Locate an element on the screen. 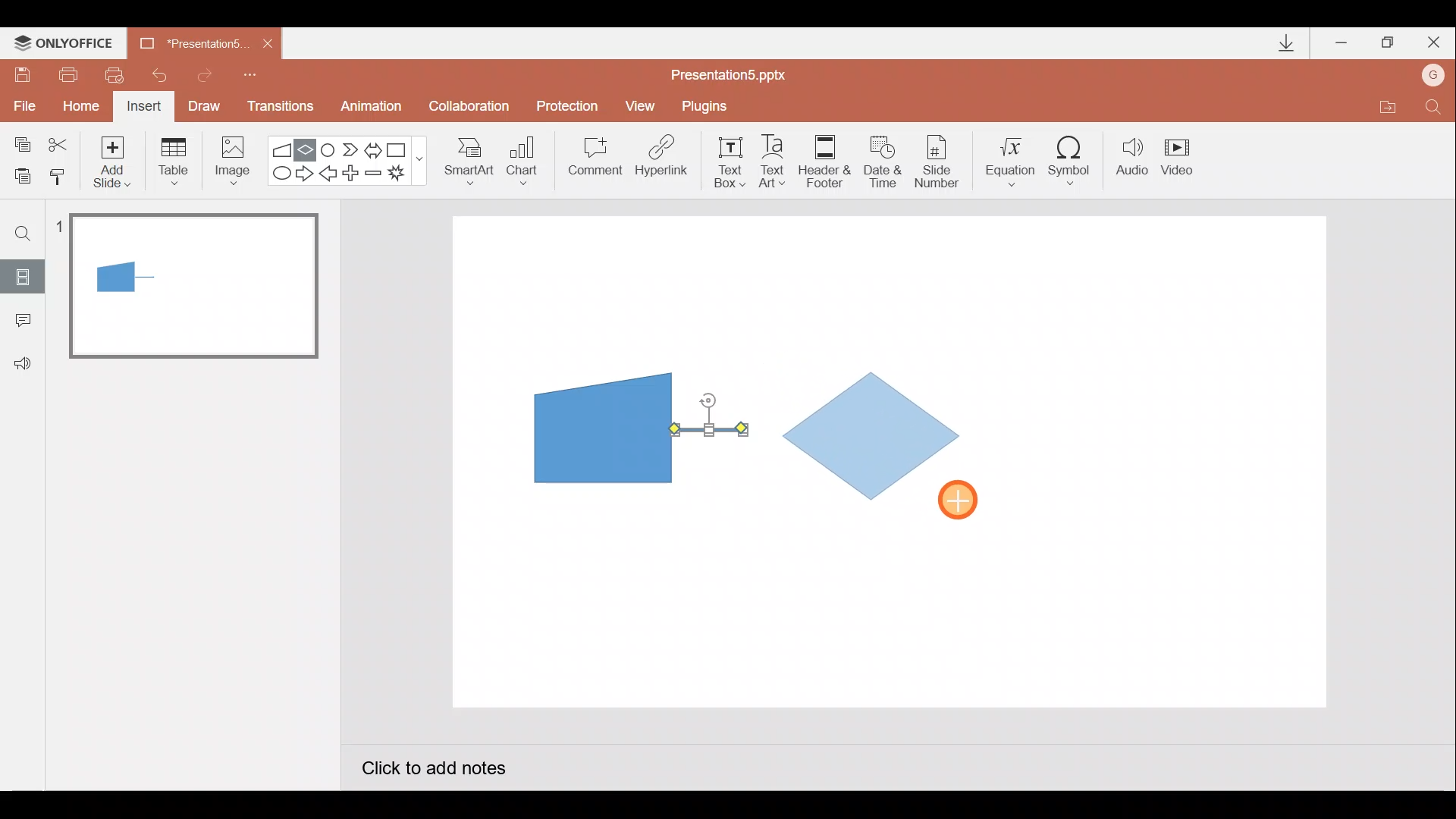  Quick print is located at coordinates (120, 71).